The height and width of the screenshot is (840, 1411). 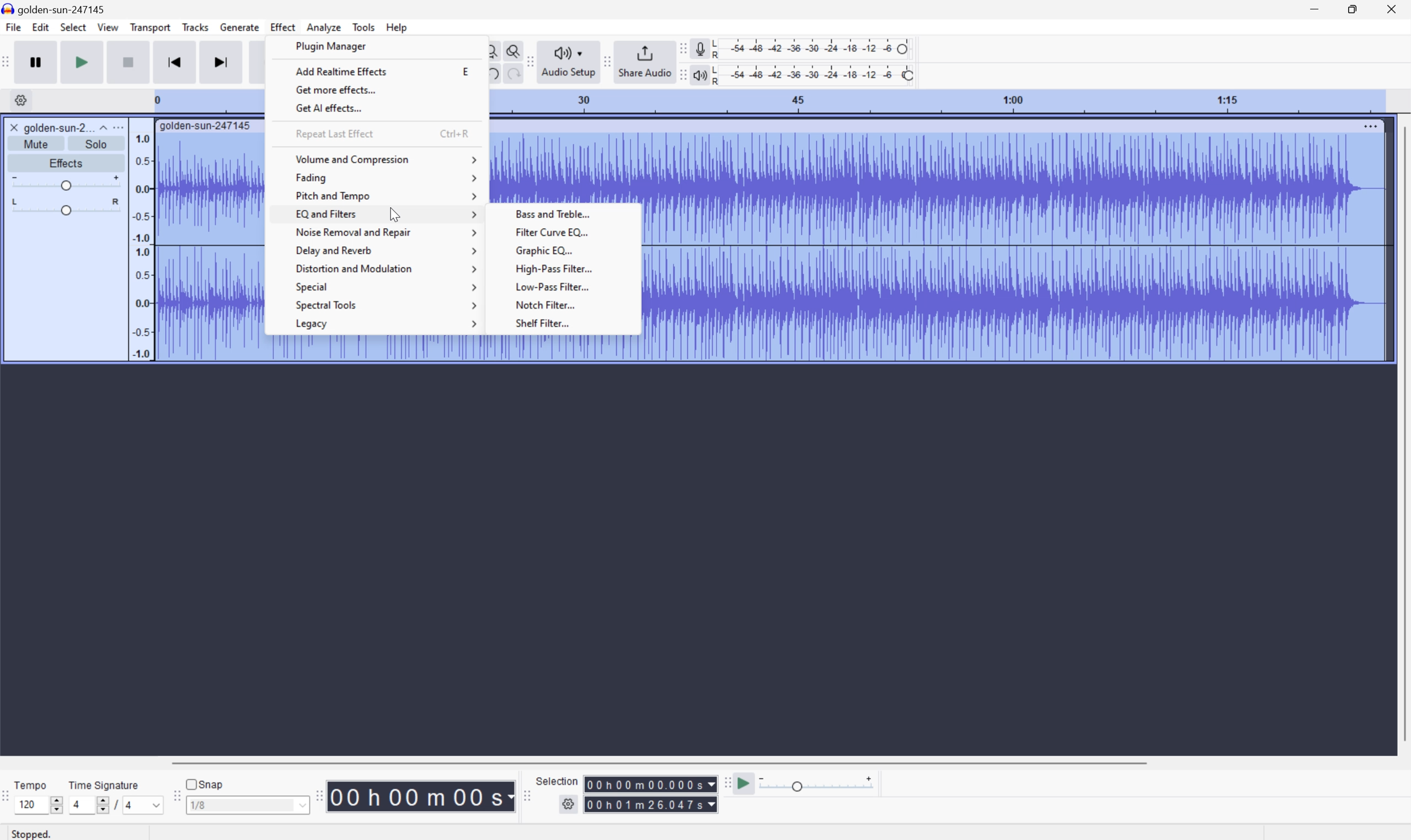 I want to click on Play, so click(x=82, y=61).